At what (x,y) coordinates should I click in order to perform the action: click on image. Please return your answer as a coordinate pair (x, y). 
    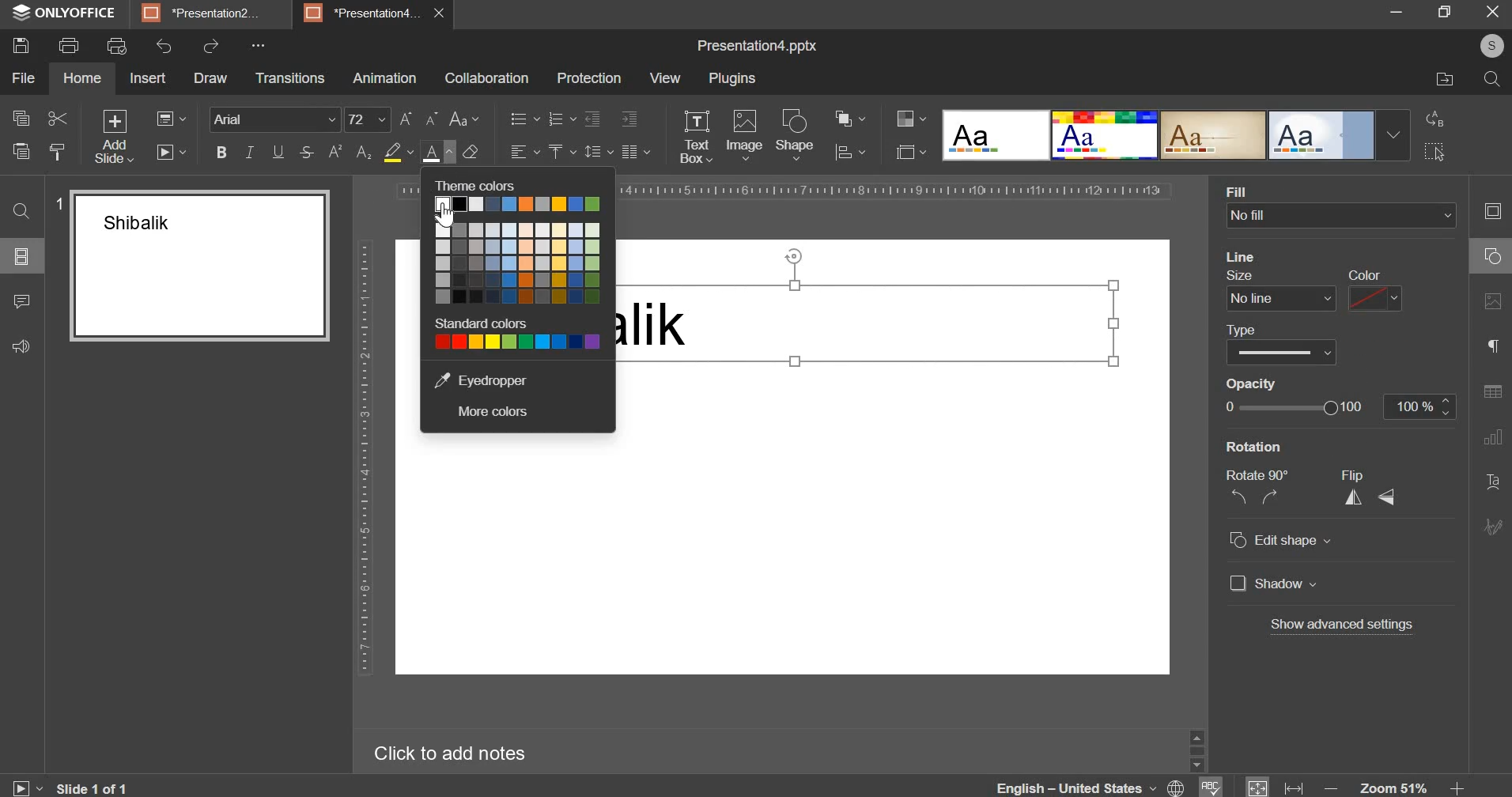
    Looking at the image, I should click on (1492, 309).